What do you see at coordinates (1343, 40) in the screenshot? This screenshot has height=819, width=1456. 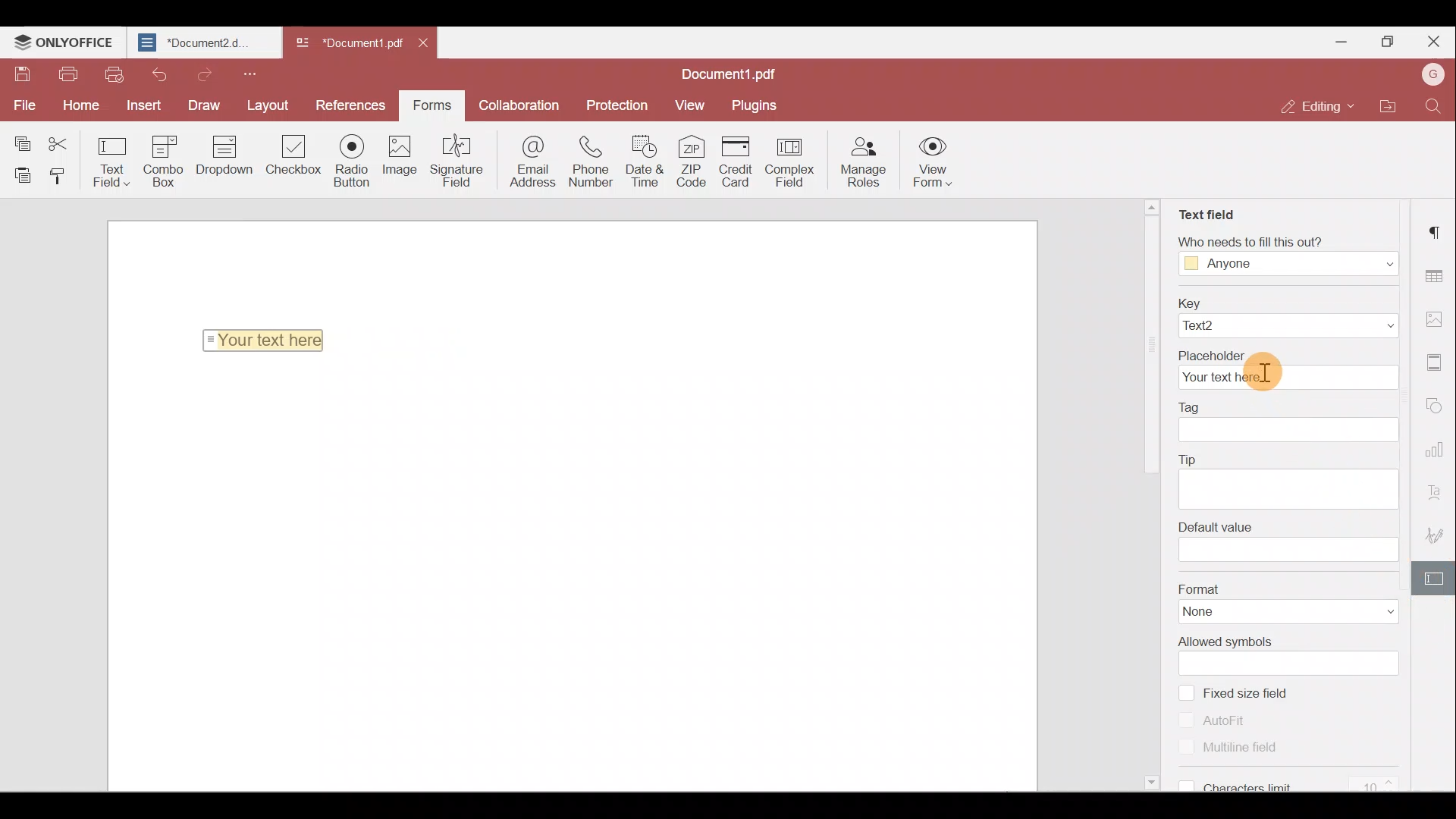 I see `Minimize` at bounding box center [1343, 40].